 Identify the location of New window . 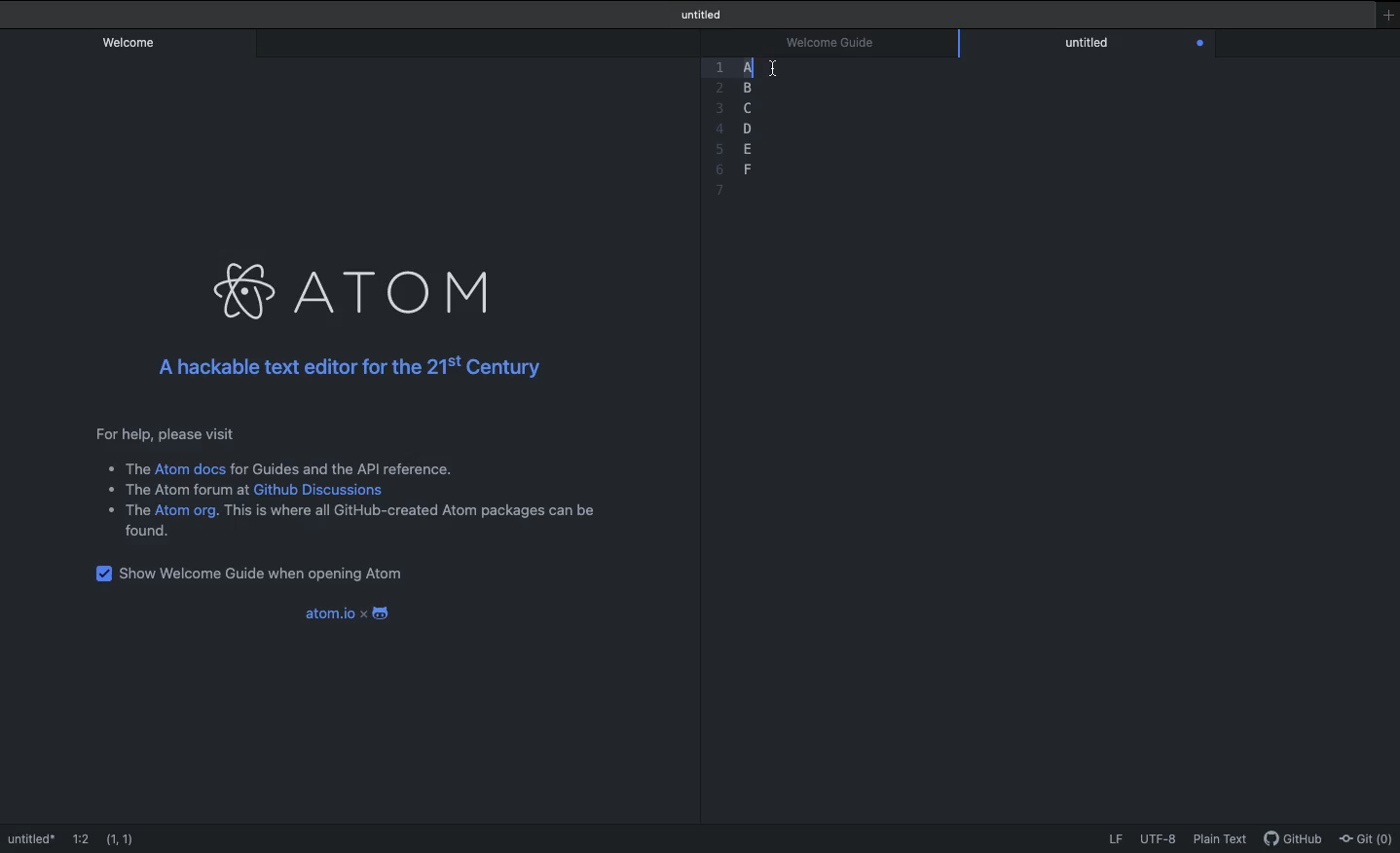
(1387, 16).